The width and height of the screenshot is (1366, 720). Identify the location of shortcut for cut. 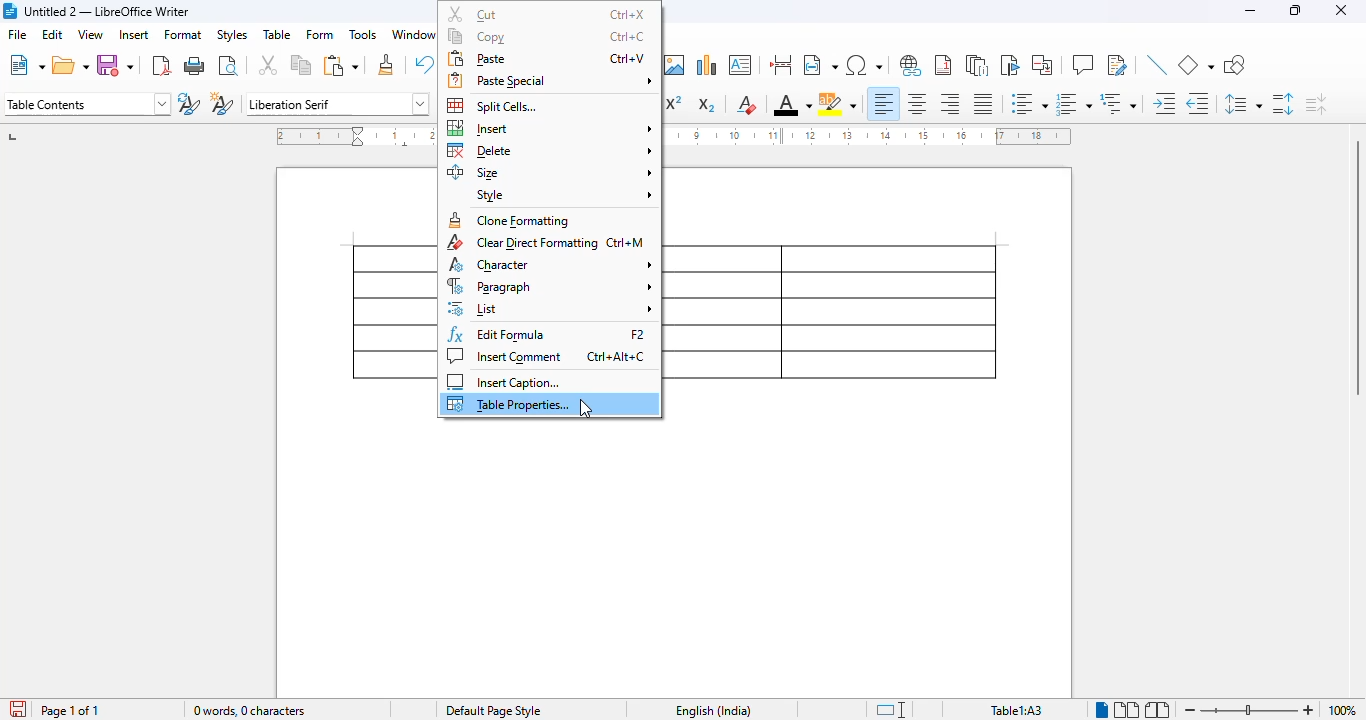
(629, 14).